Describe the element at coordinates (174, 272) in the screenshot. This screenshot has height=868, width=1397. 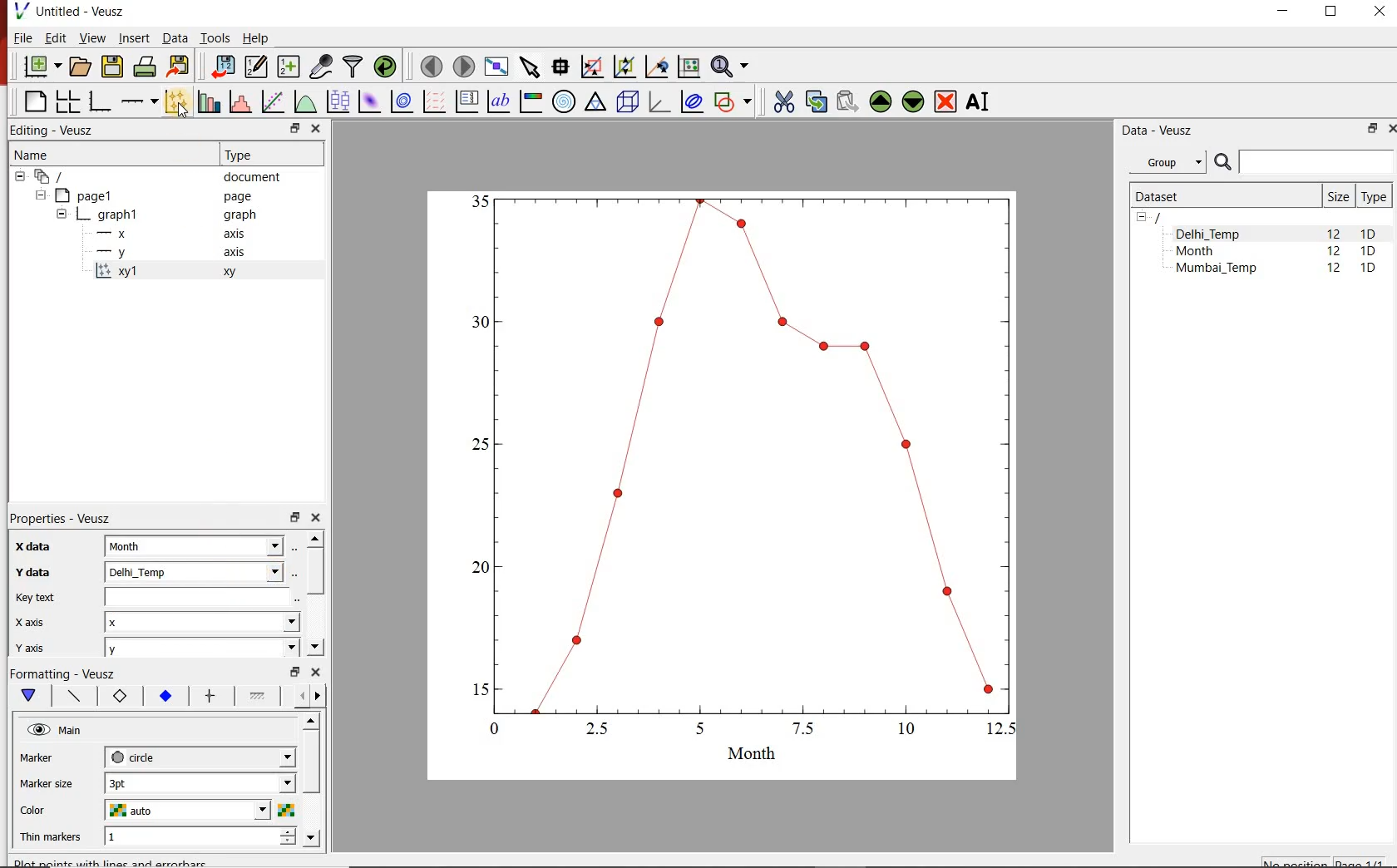
I see `xy1` at that location.